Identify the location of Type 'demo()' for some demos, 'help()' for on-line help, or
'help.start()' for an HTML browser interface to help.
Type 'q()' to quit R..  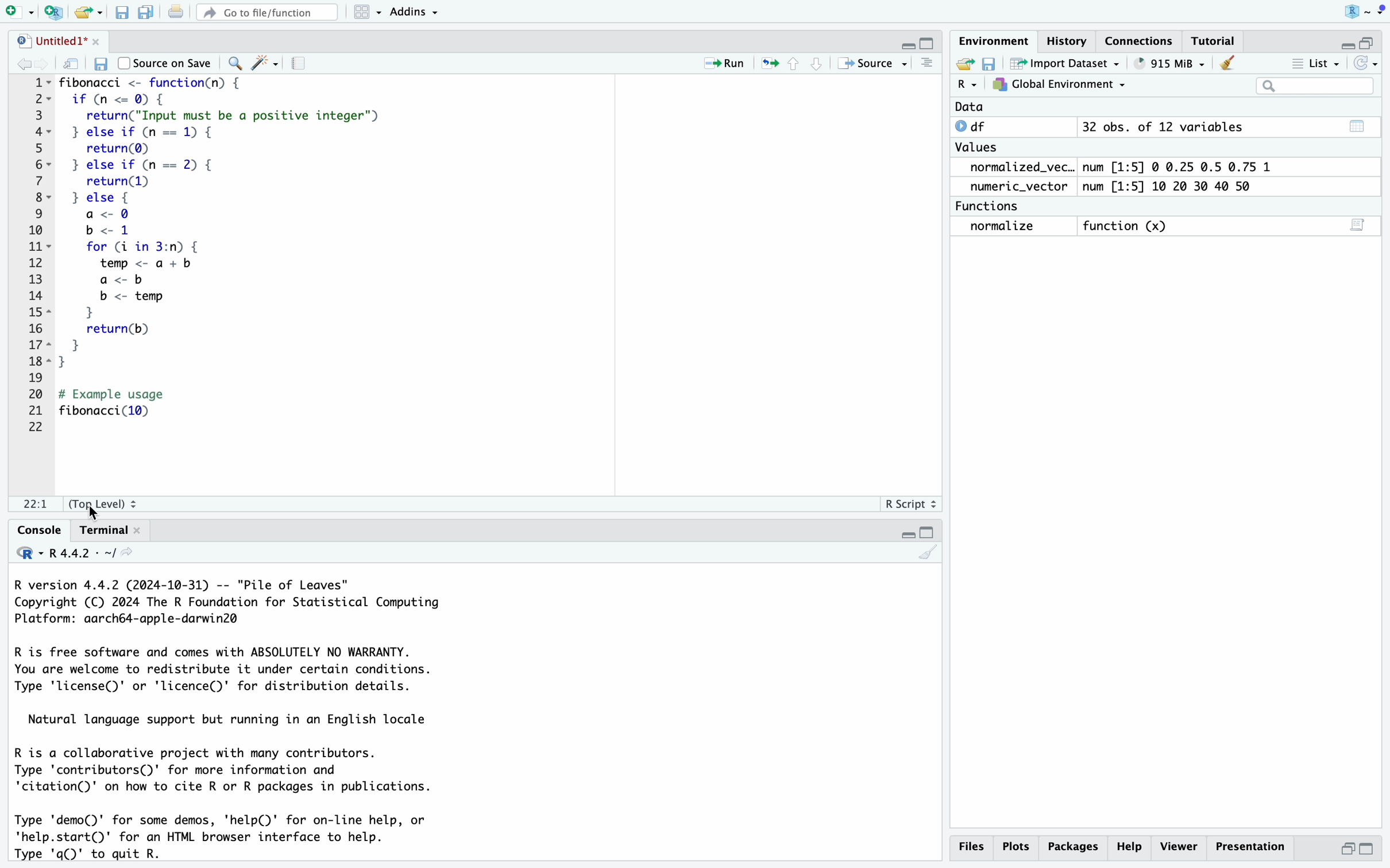
(240, 837).